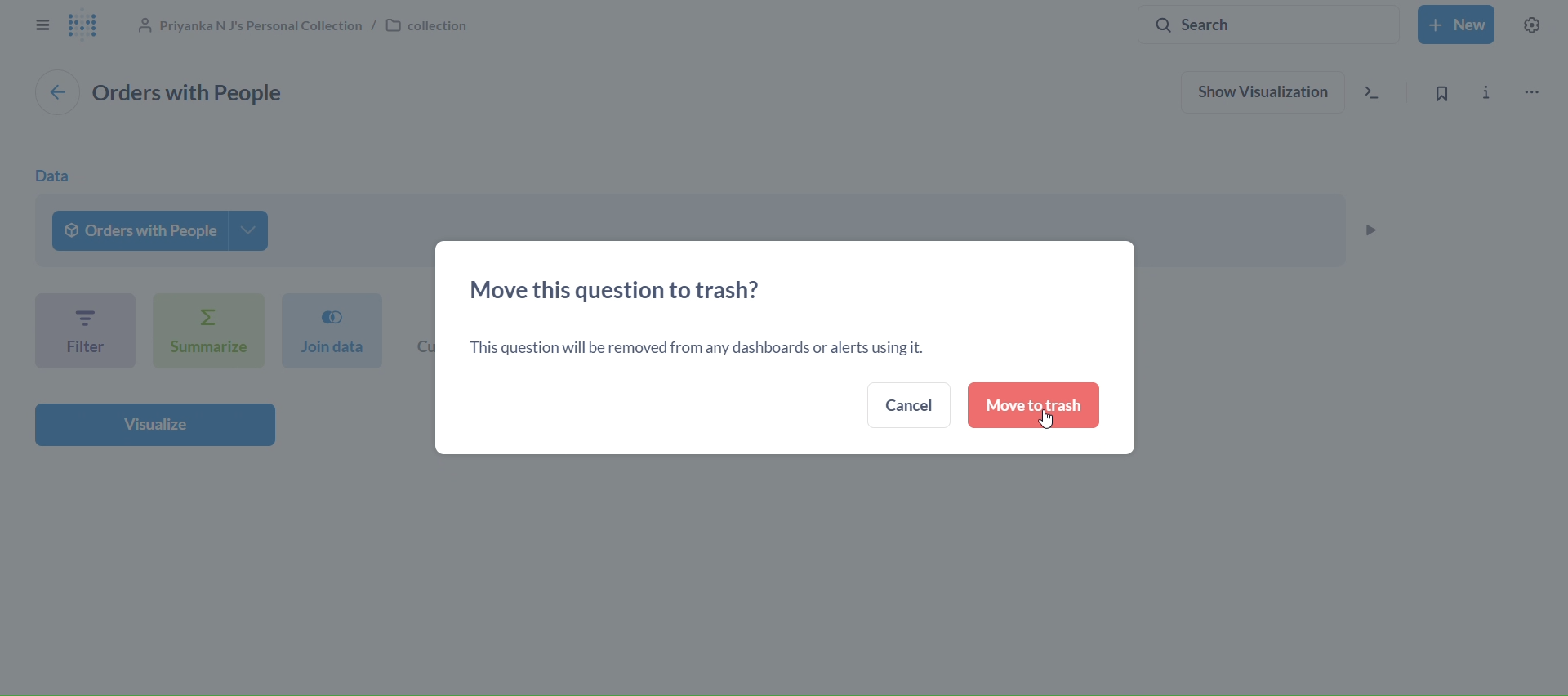 Image resolution: width=1568 pixels, height=696 pixels. I want to click on view the sql, so click(1372, 92).